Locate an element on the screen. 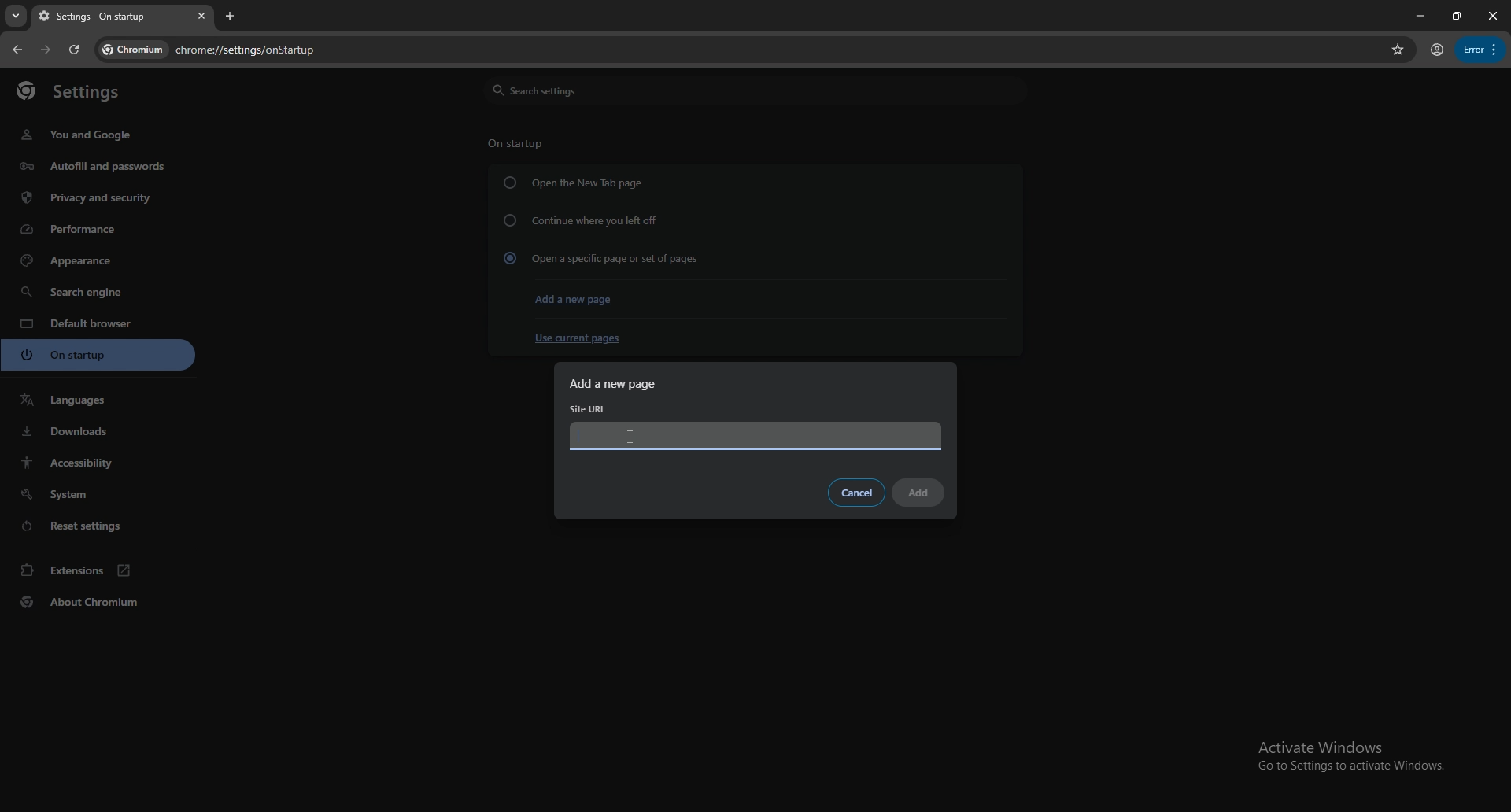 This screenshot has width=1511, height=812. cancel is located at coordinates (857, 493).